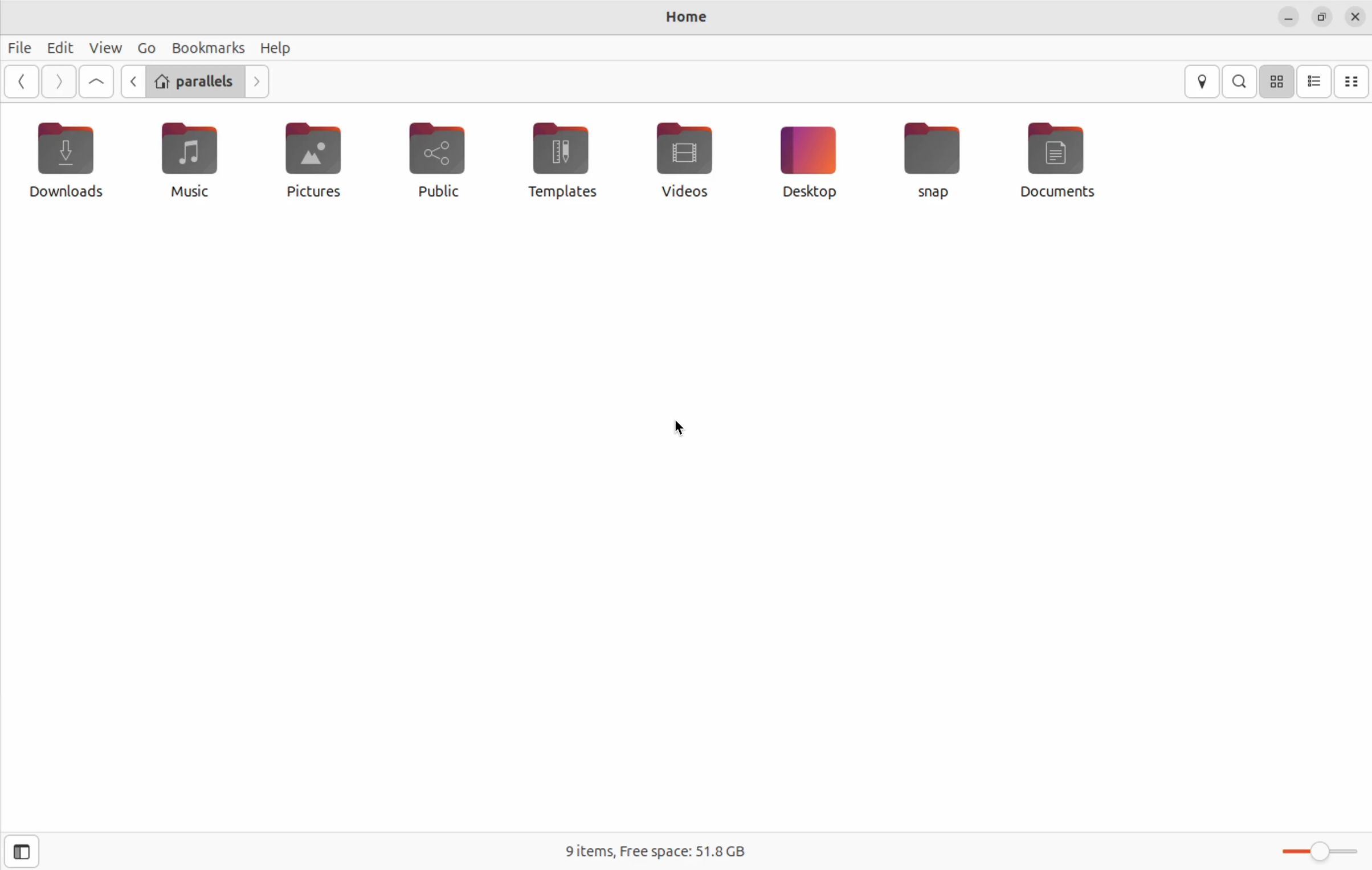 The height and width of the screenshot is (870, 1372). Describe the element at coordinates (806, 160) in the screenshot. I see `Desktop` at that location.